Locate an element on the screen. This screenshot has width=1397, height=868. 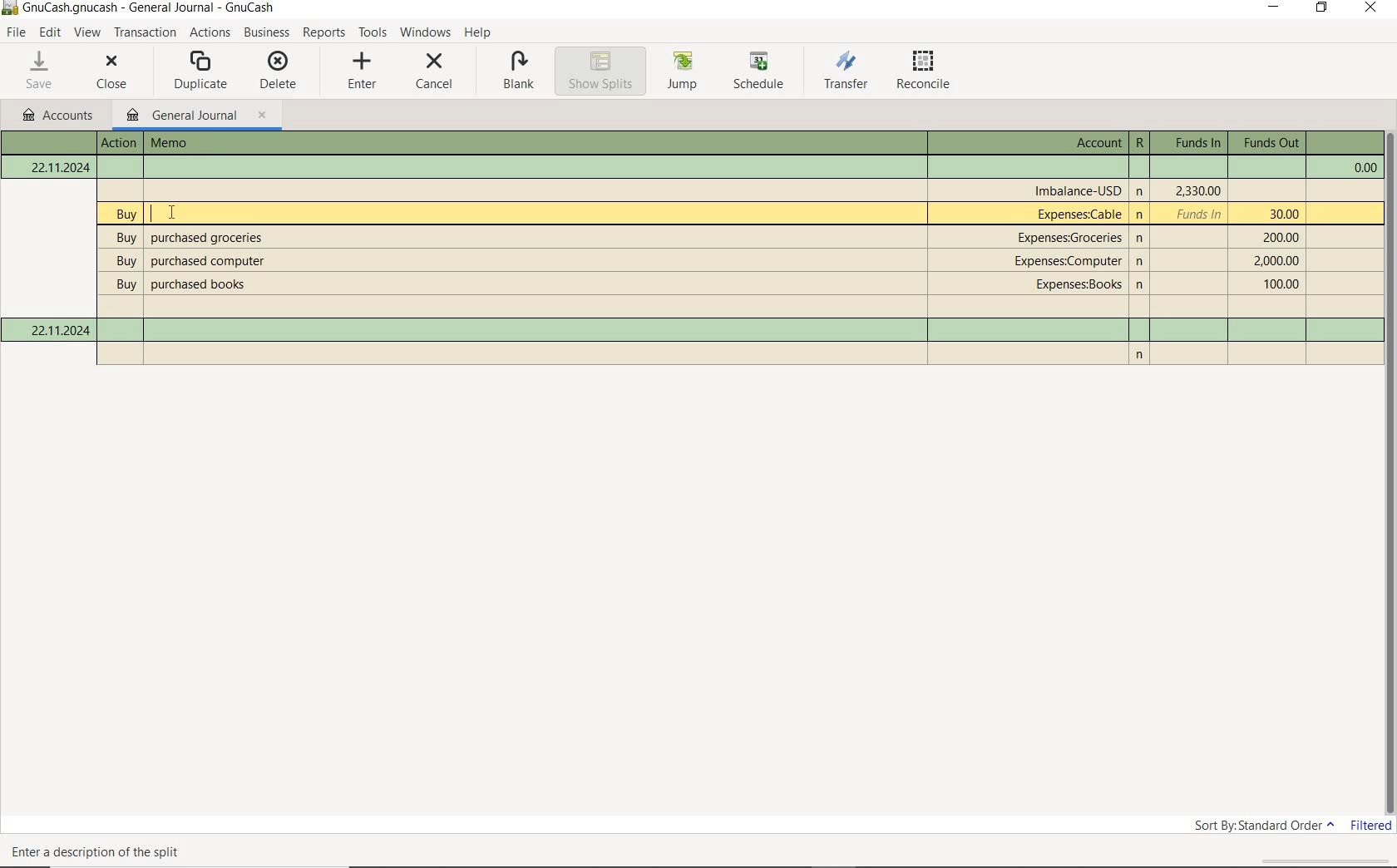
Text is located at coordinates (52, 142).